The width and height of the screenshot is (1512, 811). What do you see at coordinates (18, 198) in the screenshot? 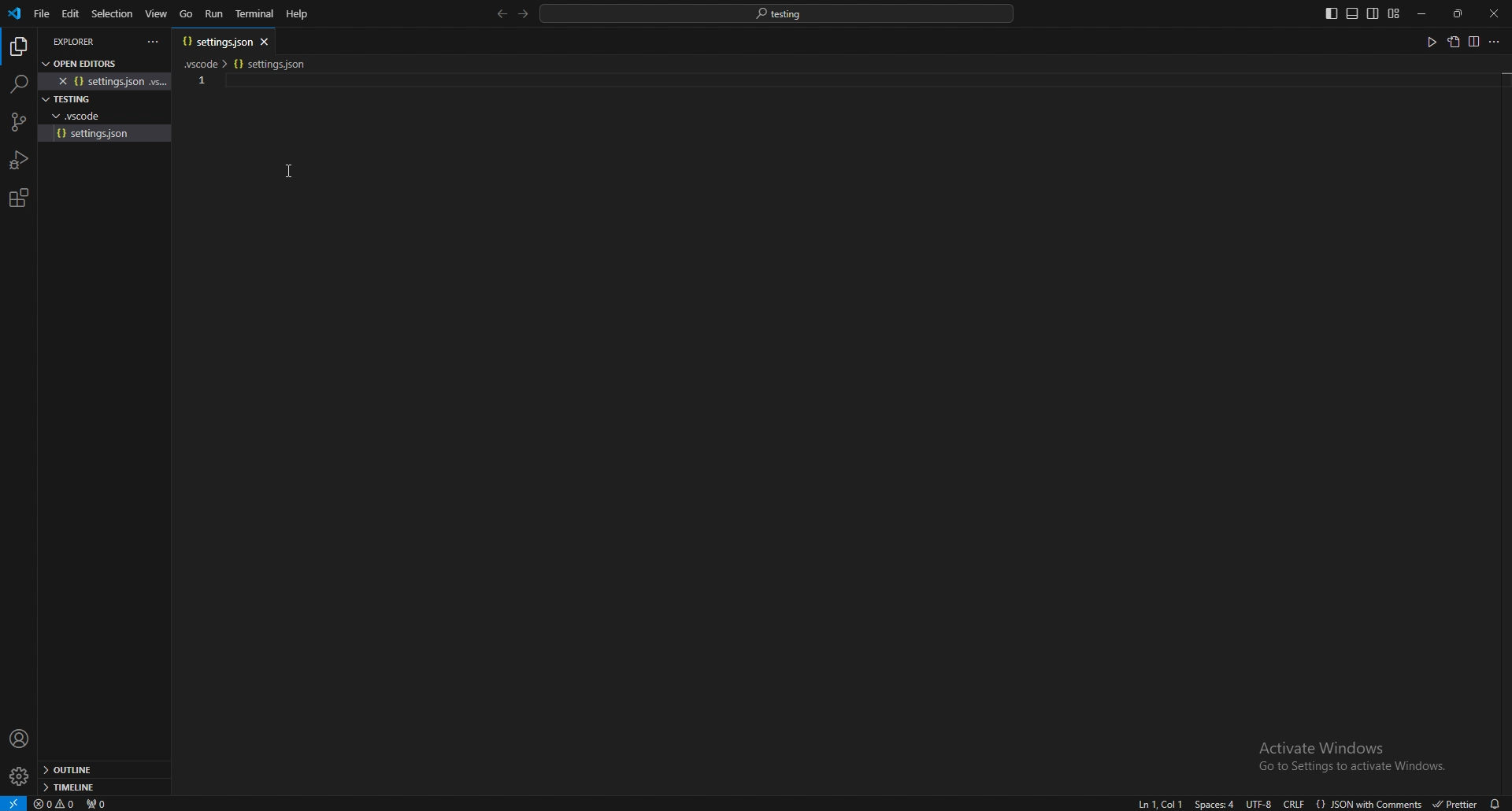
I see `extension` at bounding box center [18, 198].